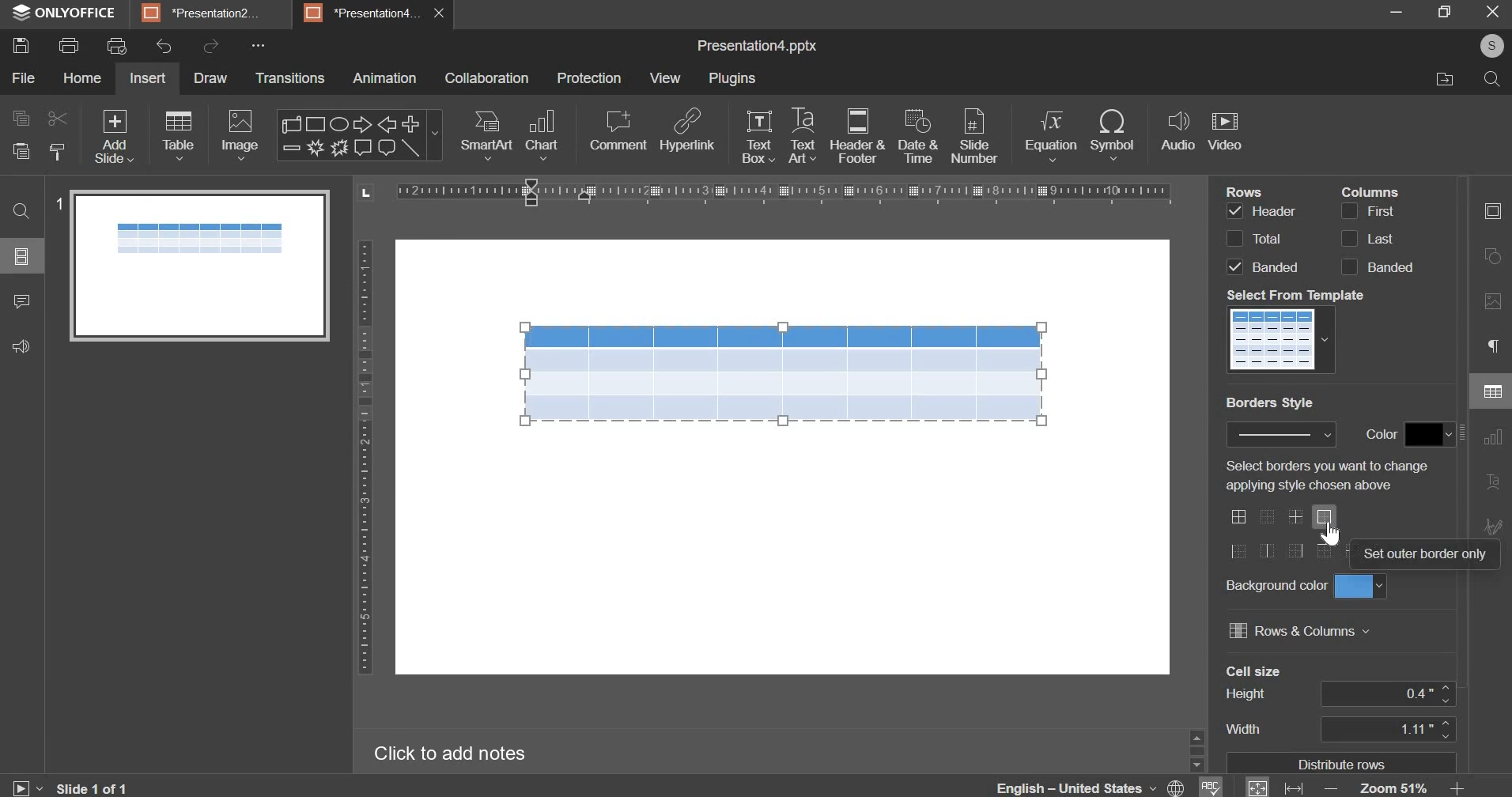 This screenshot has height=797, width=1512. I want to click on ONLYOFFICE, so click(65, 12).